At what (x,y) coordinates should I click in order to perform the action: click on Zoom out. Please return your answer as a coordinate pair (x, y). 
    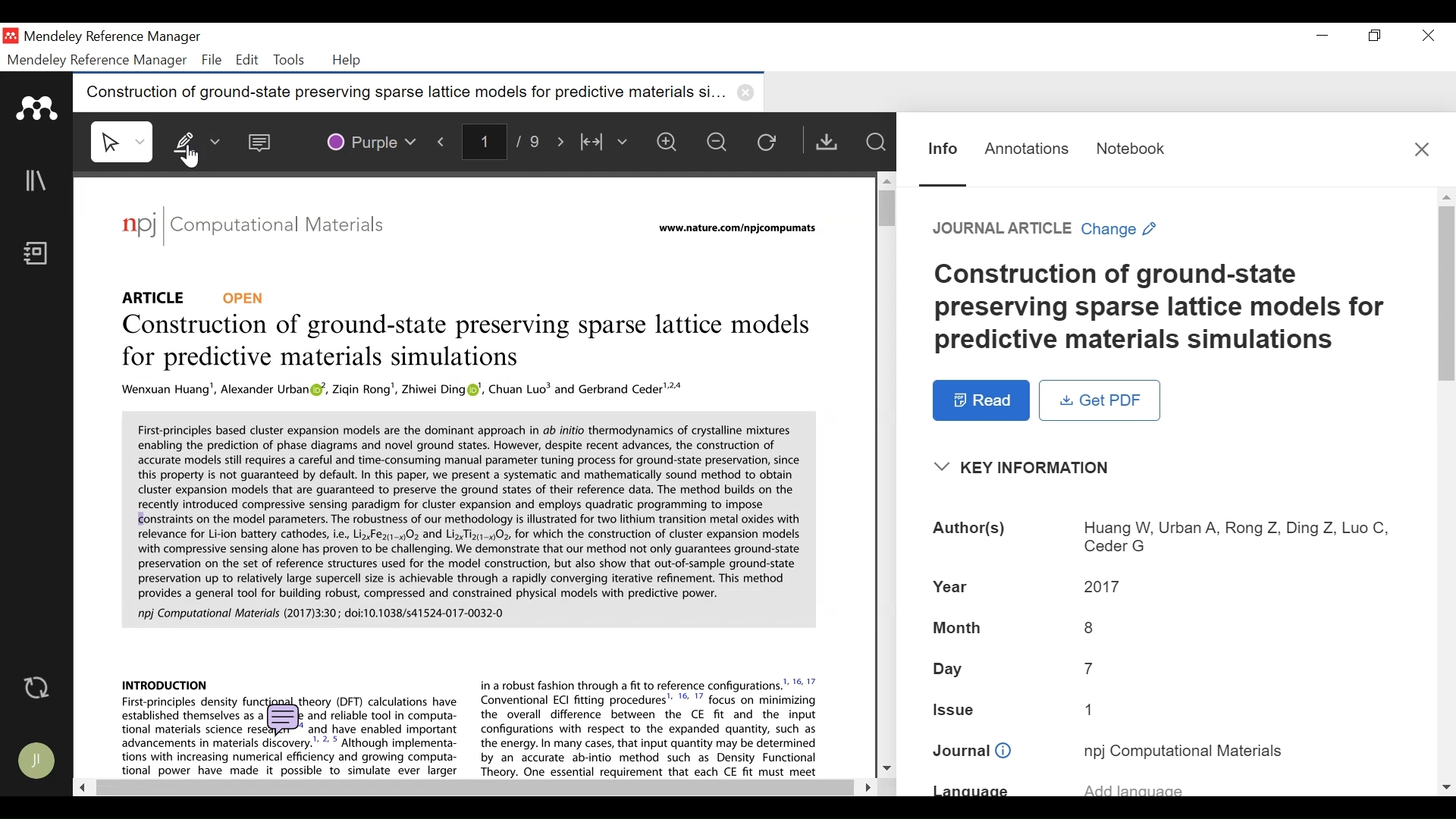
    Looking at the image, I should click on (718, 141).